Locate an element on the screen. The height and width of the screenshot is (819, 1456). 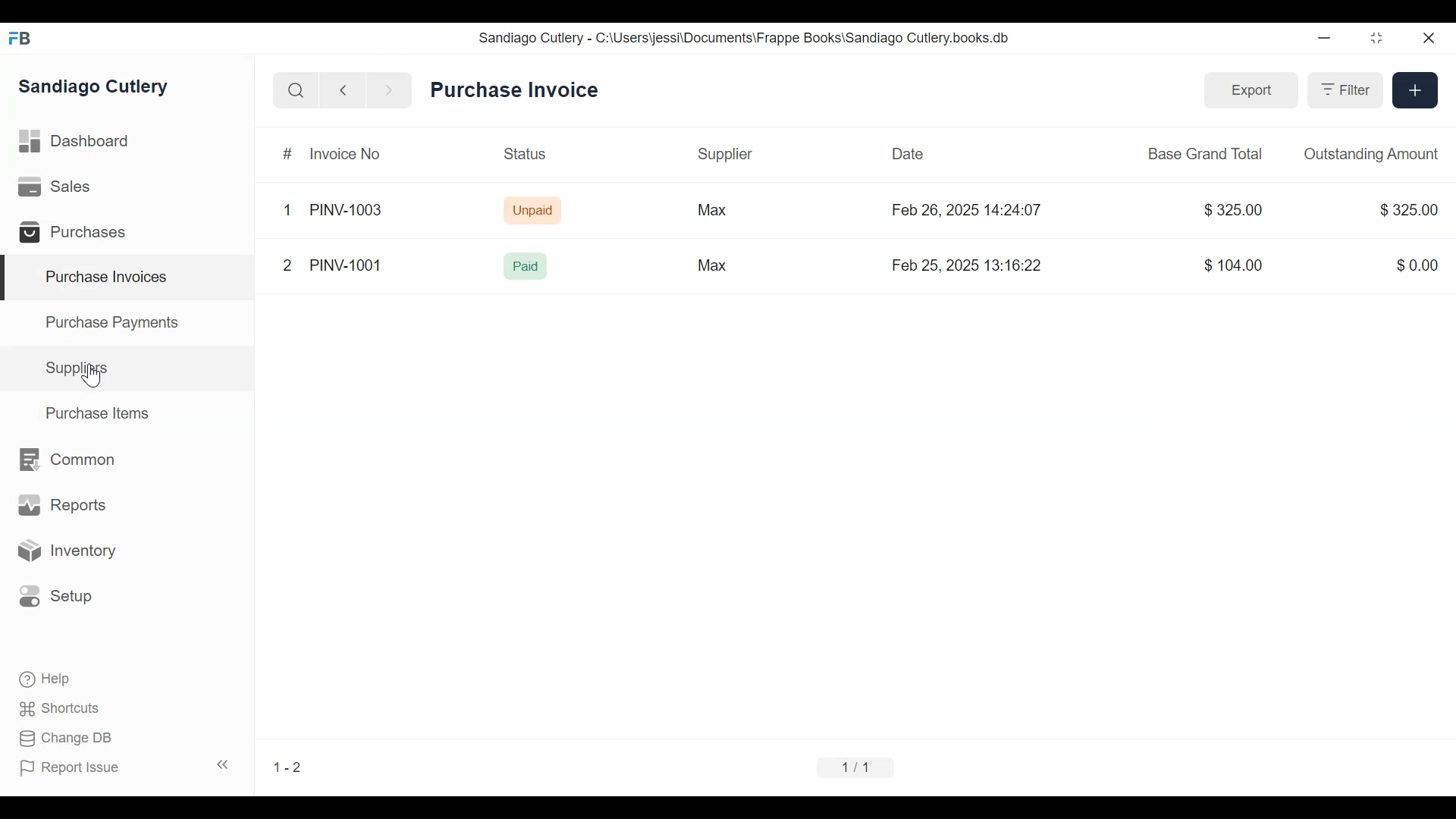
 Help is located at coordinates (51, 679).